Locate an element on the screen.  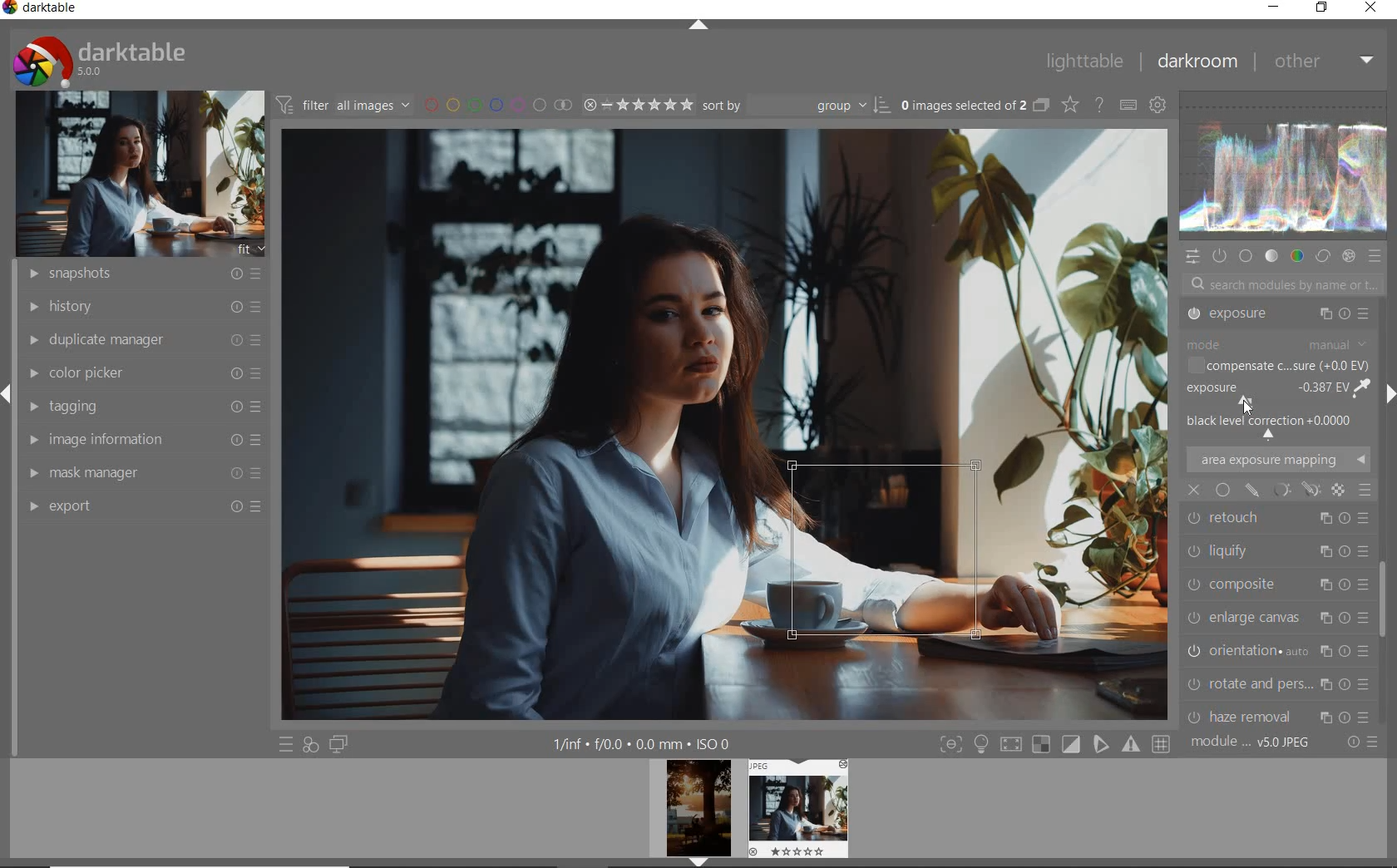
cursor position is located at coordinates (1248, 405).